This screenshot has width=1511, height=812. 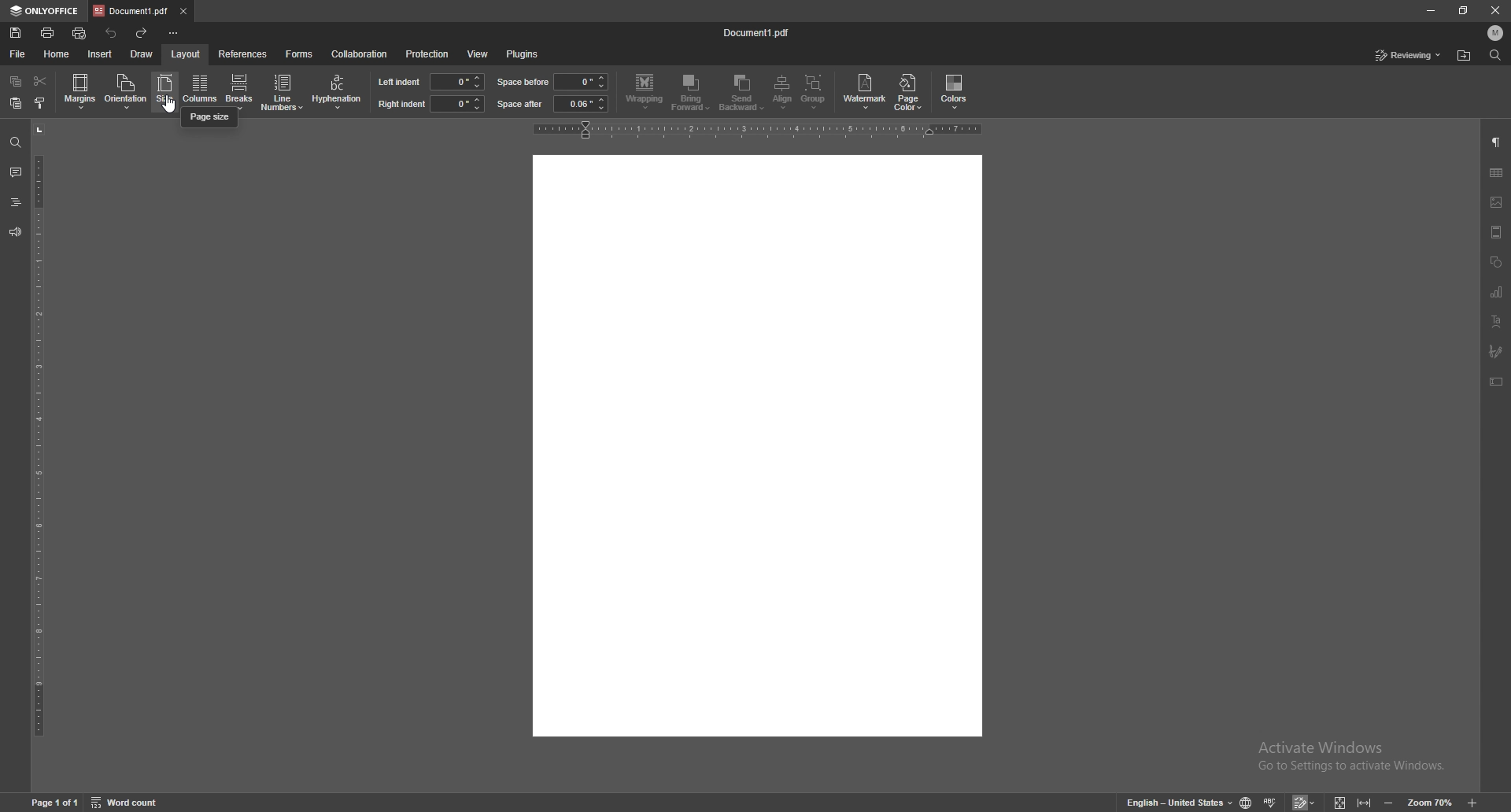 I want to click on plugins, so click(x=523, y=54).